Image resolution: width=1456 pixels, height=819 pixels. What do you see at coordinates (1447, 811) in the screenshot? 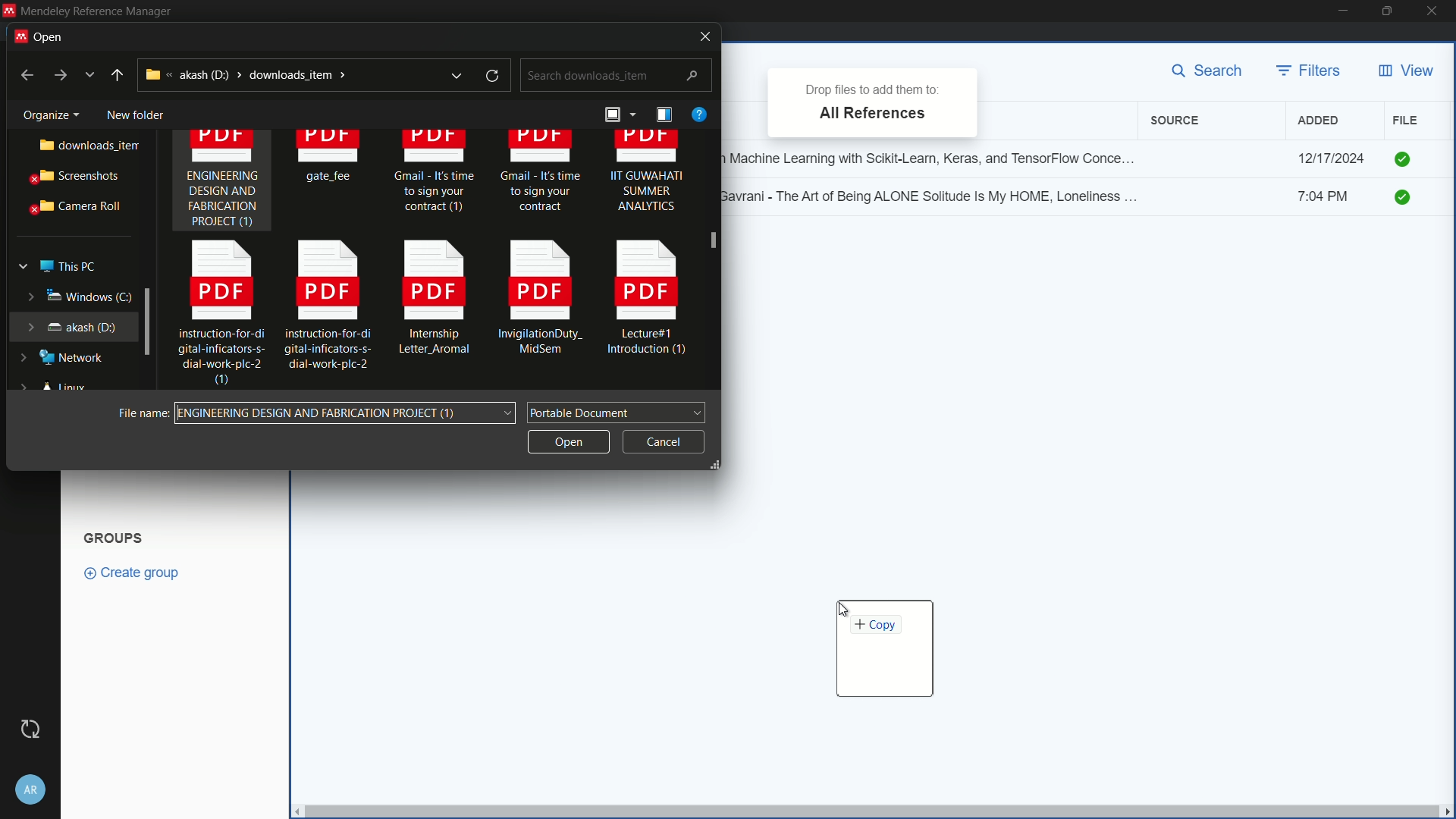
I see `scroll right` at bounding box center [1447, 811].